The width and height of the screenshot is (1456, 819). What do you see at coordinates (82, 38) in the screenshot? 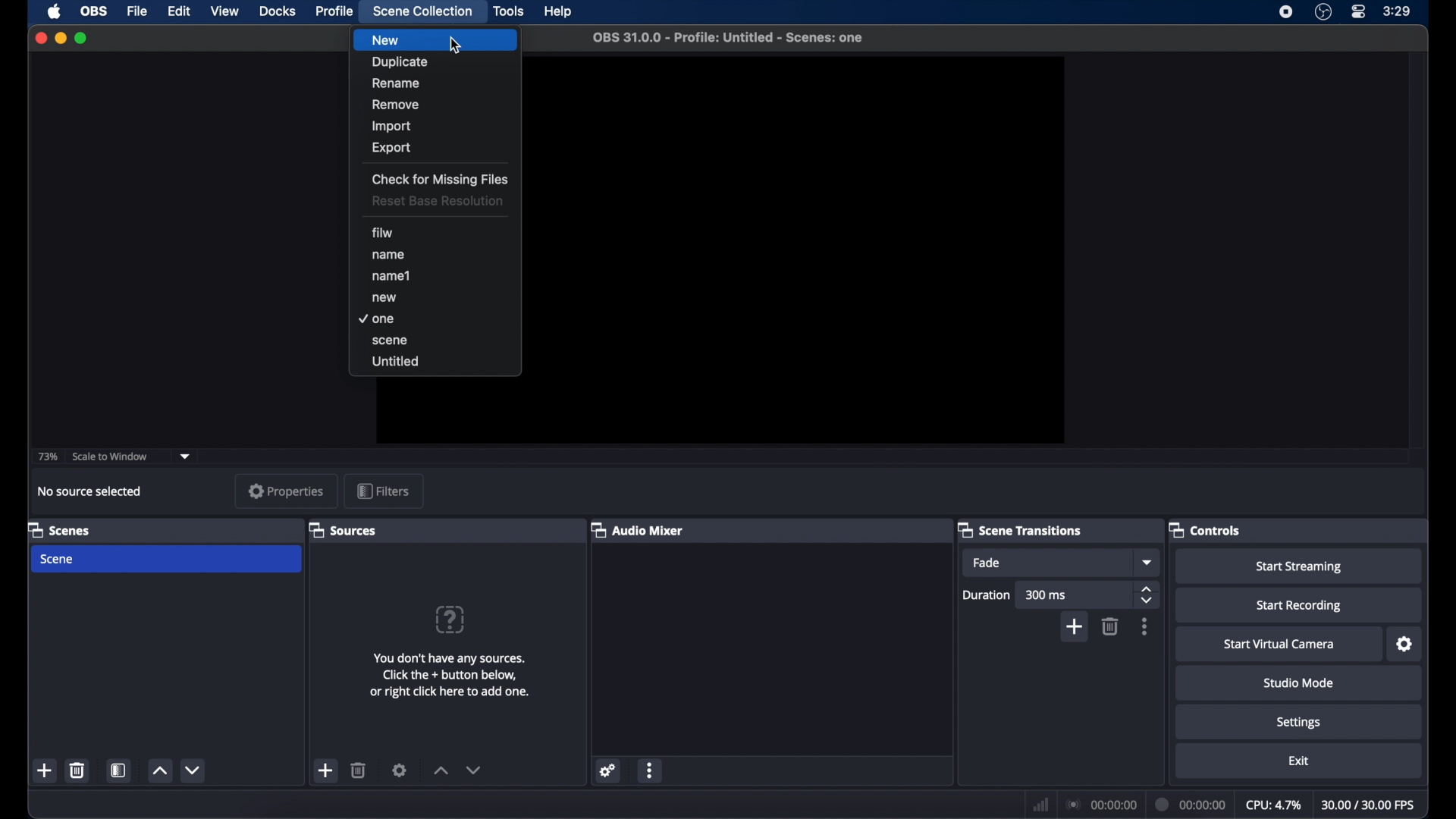
I see `maximize` at bounding box center [82, 38].